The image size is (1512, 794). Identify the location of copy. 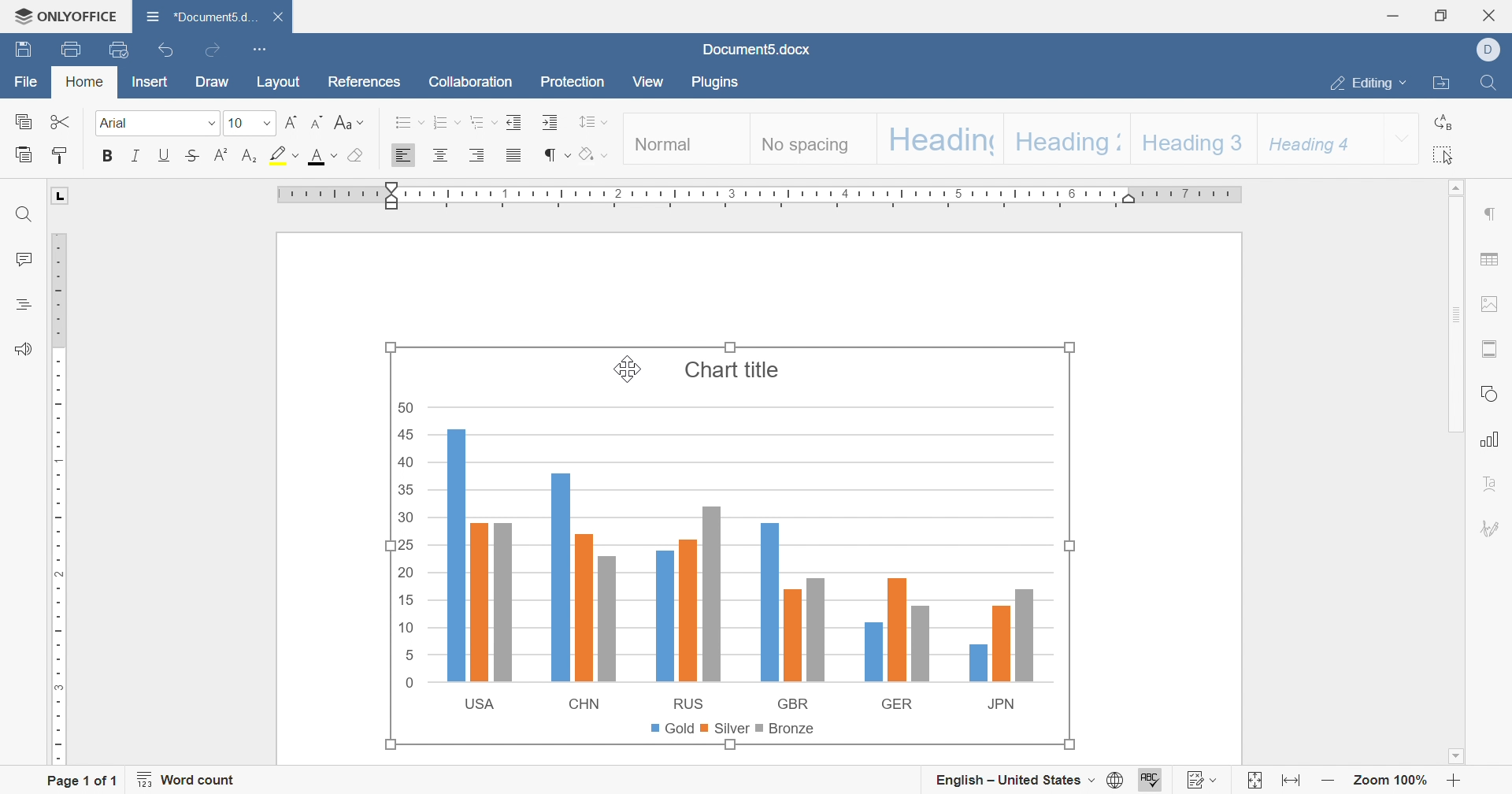
(22, 121).